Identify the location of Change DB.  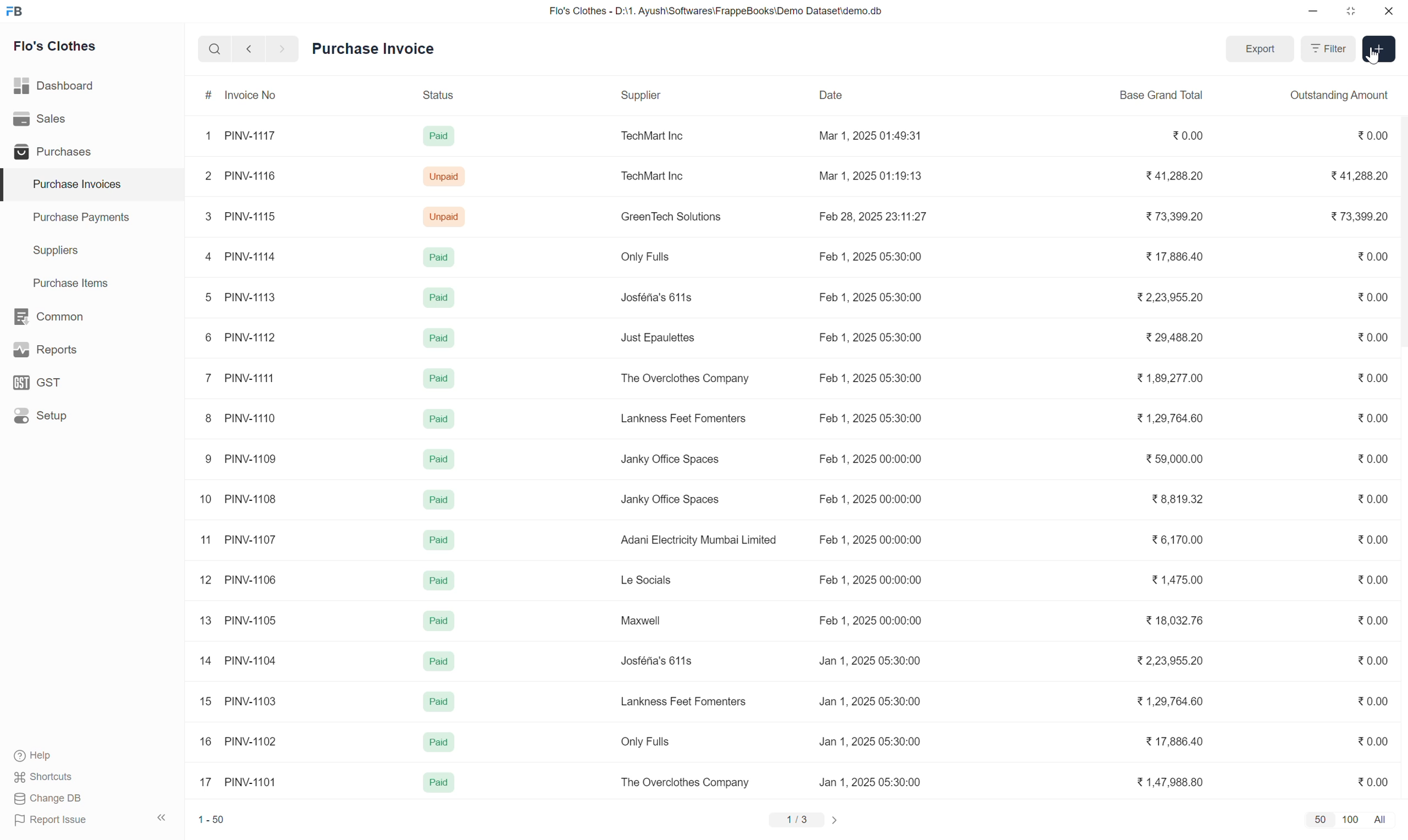
(49, 798).